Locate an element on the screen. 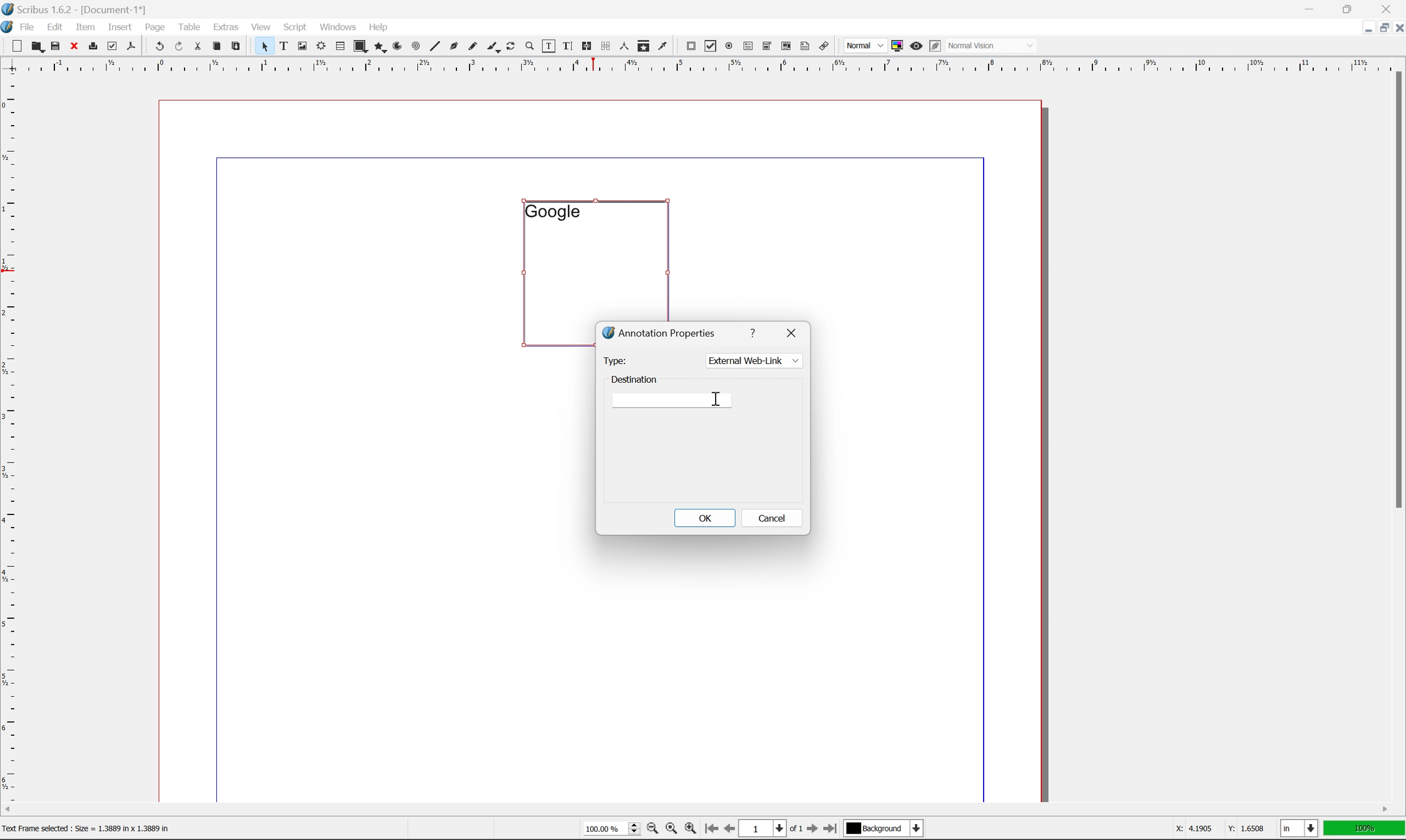 The image size is (1406, 840). edit in preview mode is located at coordinates (935, 46).